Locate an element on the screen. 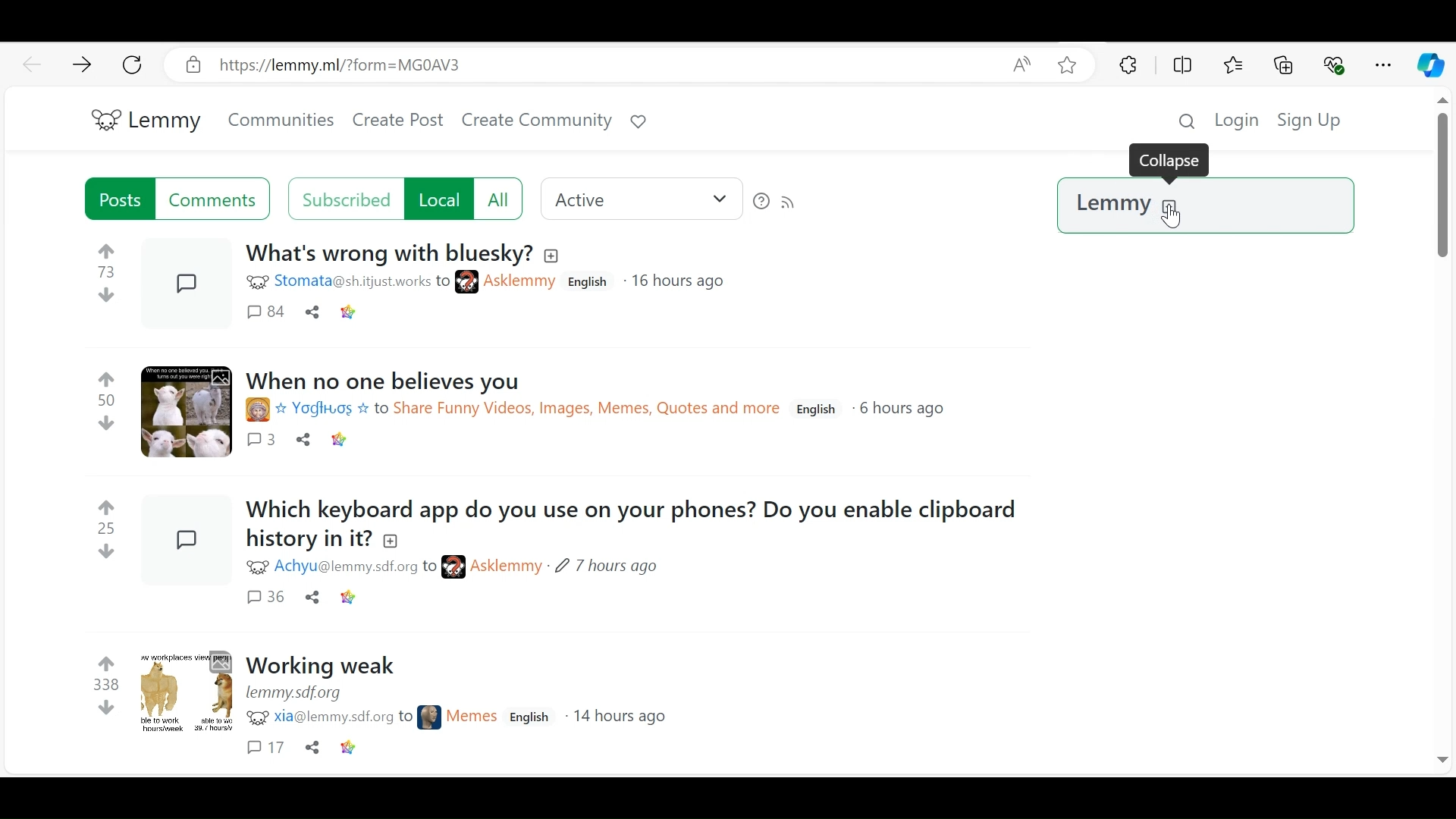 This screenshot has height=819, width=1456. All is located at coordinates (499, 199).